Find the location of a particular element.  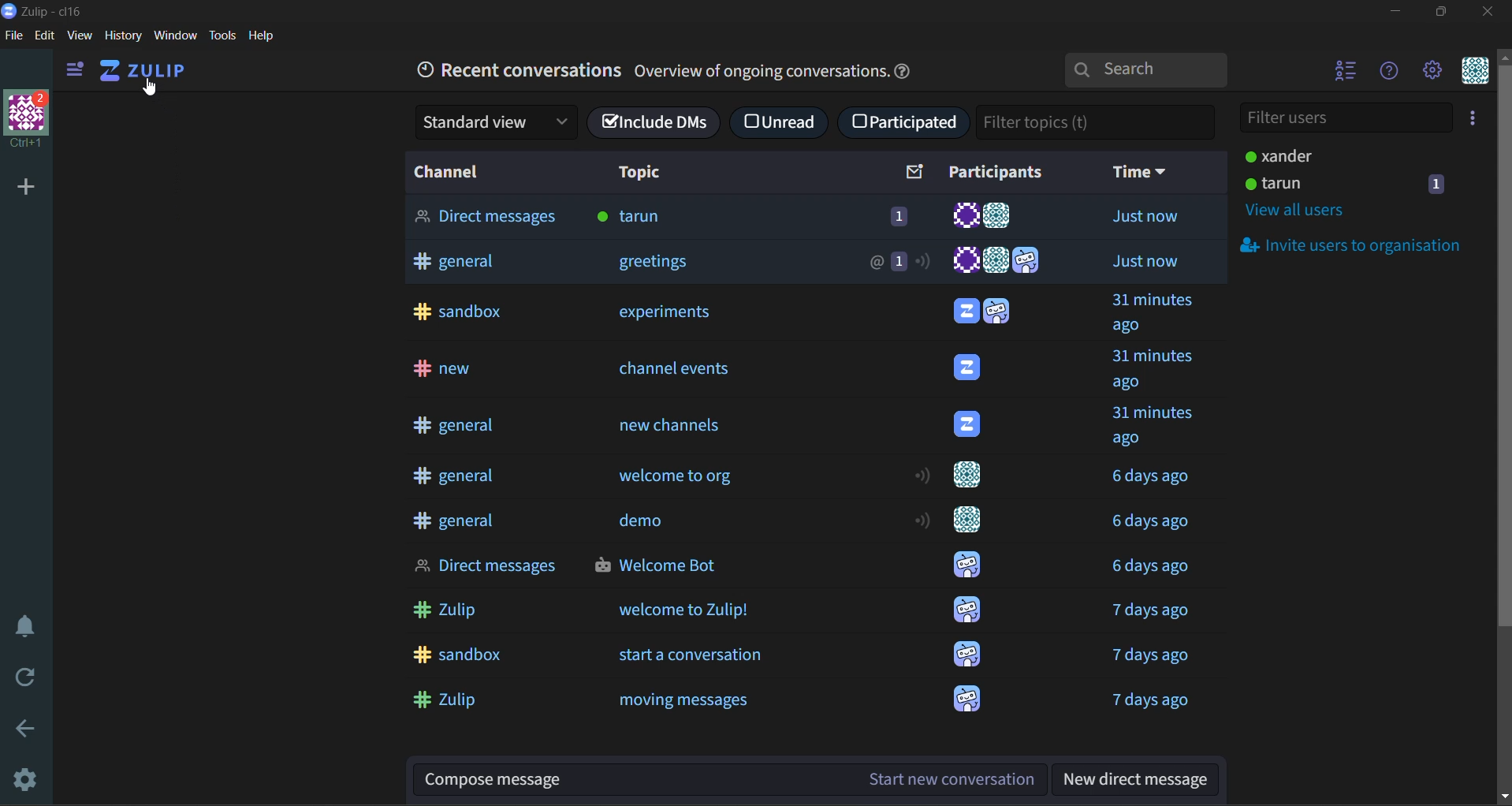

new is located at coordinates (441, 368).